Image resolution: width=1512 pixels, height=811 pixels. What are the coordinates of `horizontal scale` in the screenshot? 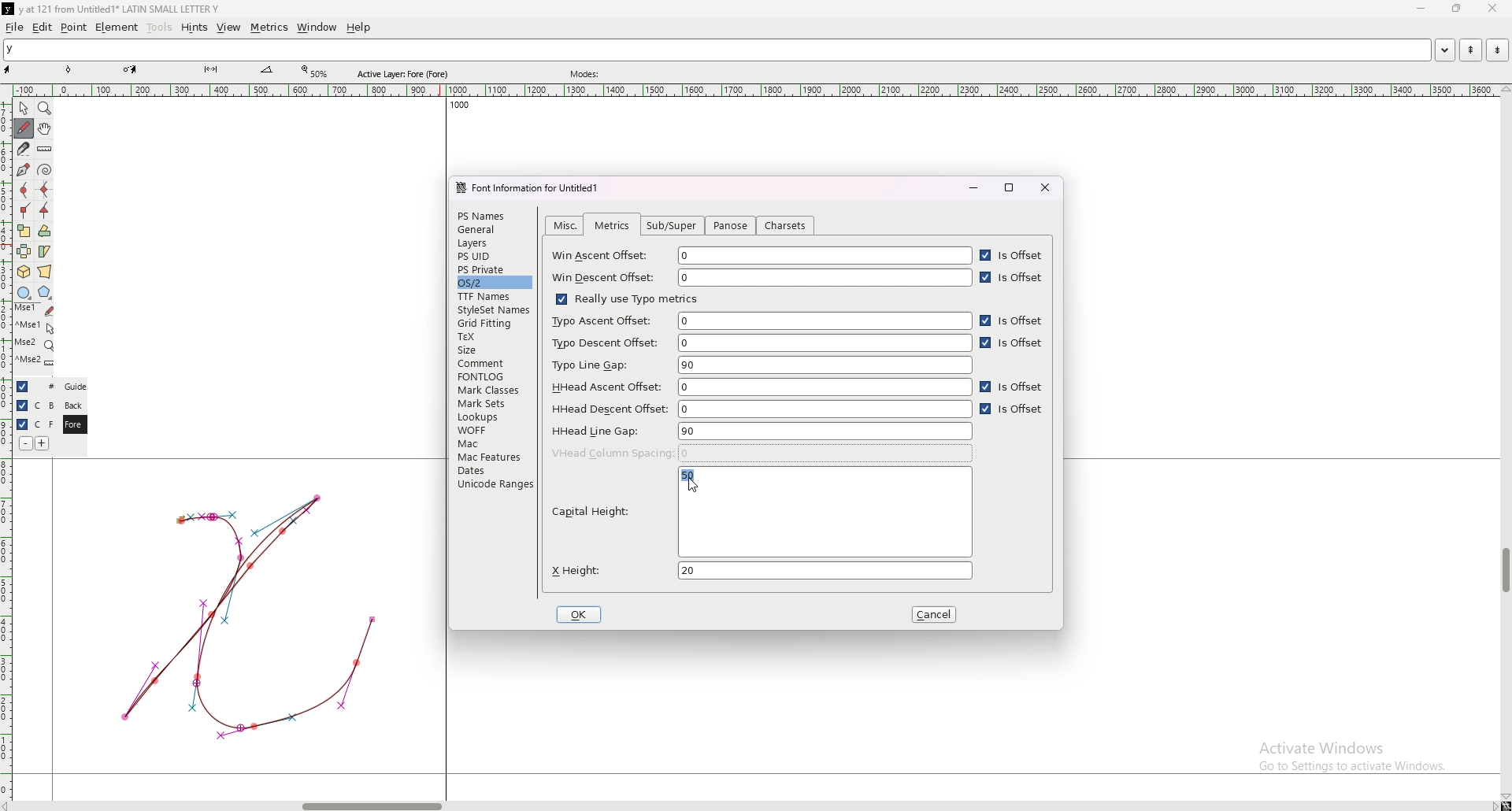 It's located at (756, 91).